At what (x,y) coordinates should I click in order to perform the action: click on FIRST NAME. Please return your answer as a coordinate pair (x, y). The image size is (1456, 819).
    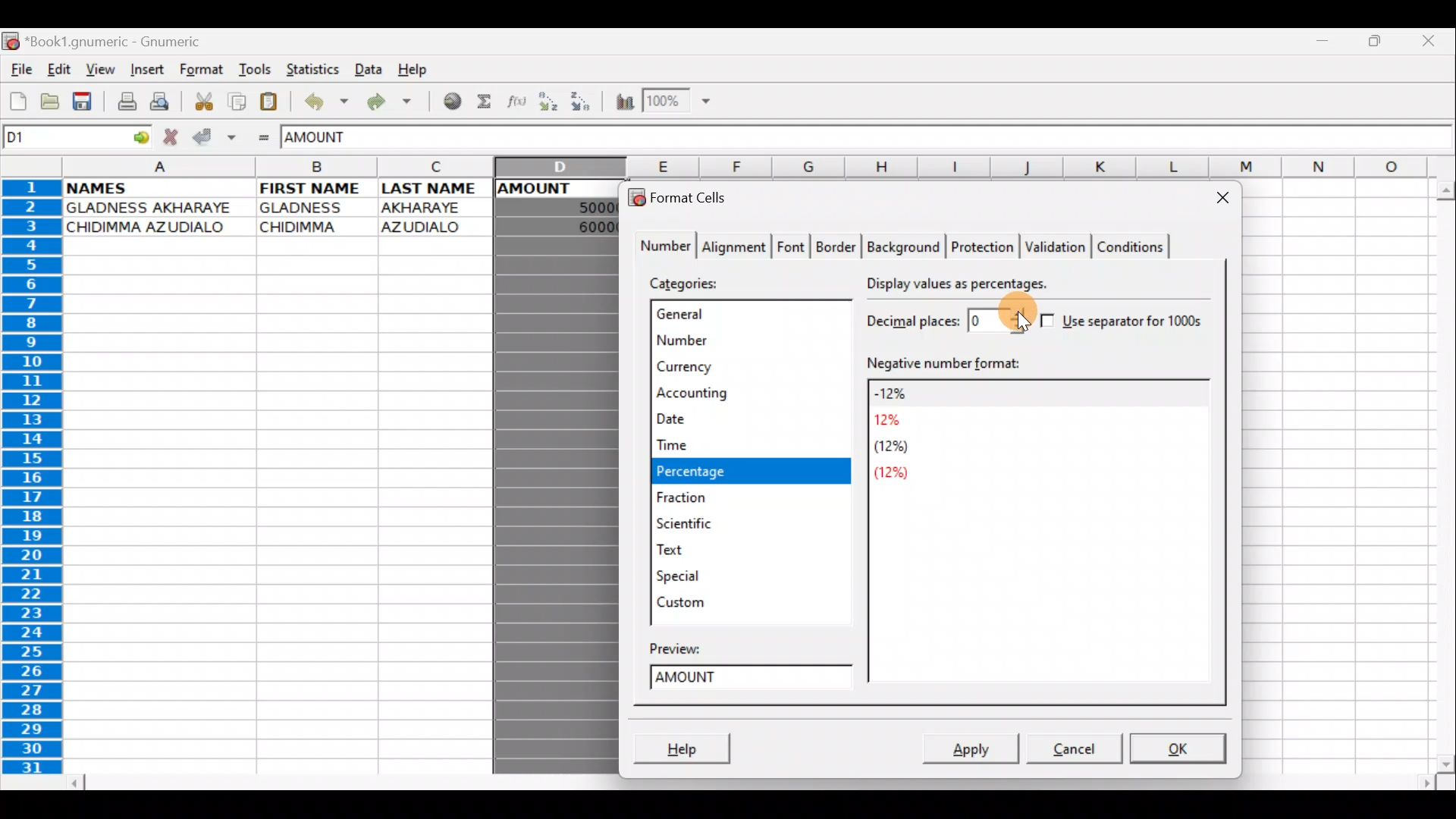
    Looking at the image, I should click on (313, 188).